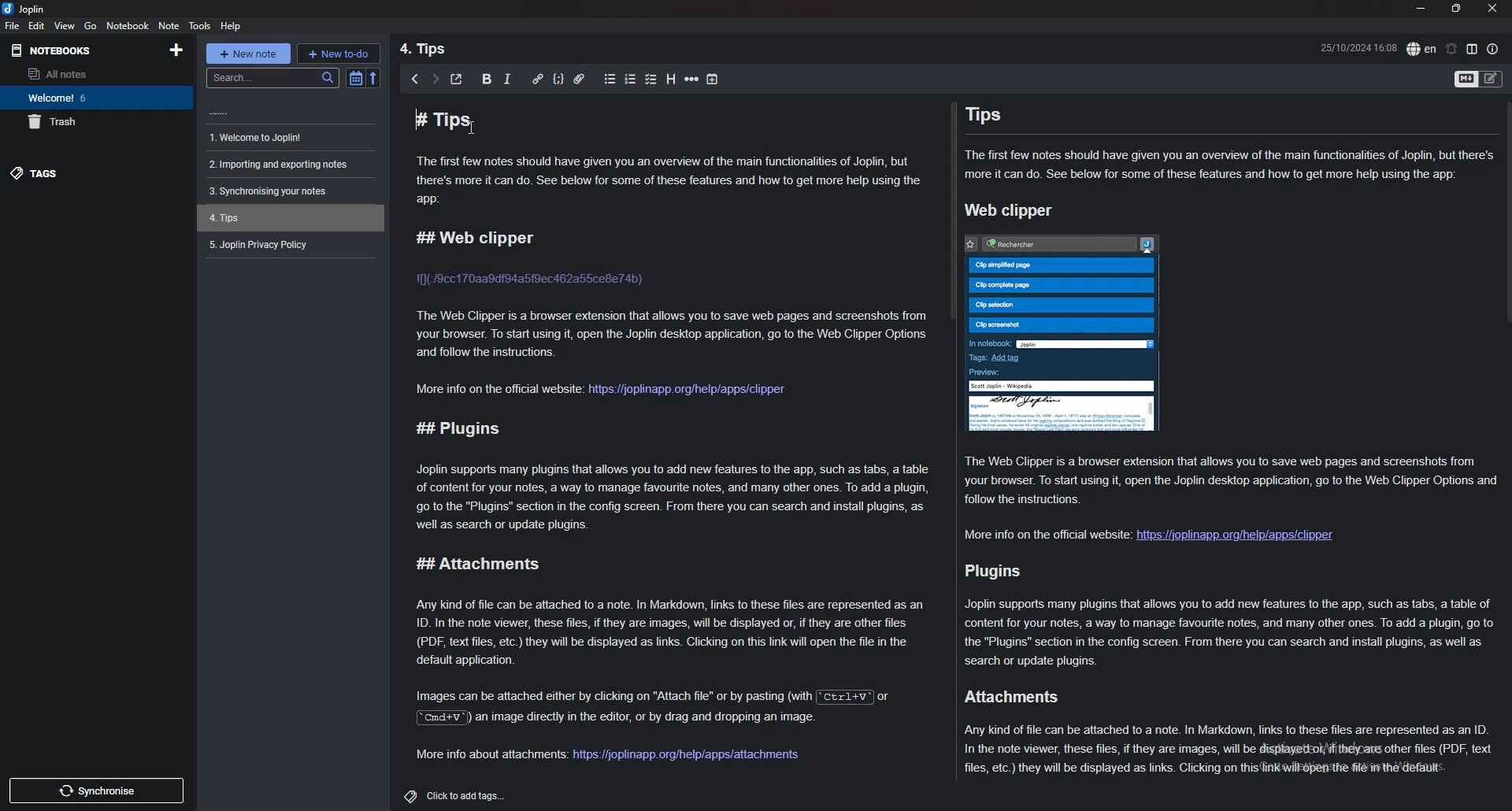 Image resolution: width=1512 pixels, height=811 pixels. What do you see at coordinates (288, 165) in the screenshot?
I see `note 3` at bounding box center [288, 165].